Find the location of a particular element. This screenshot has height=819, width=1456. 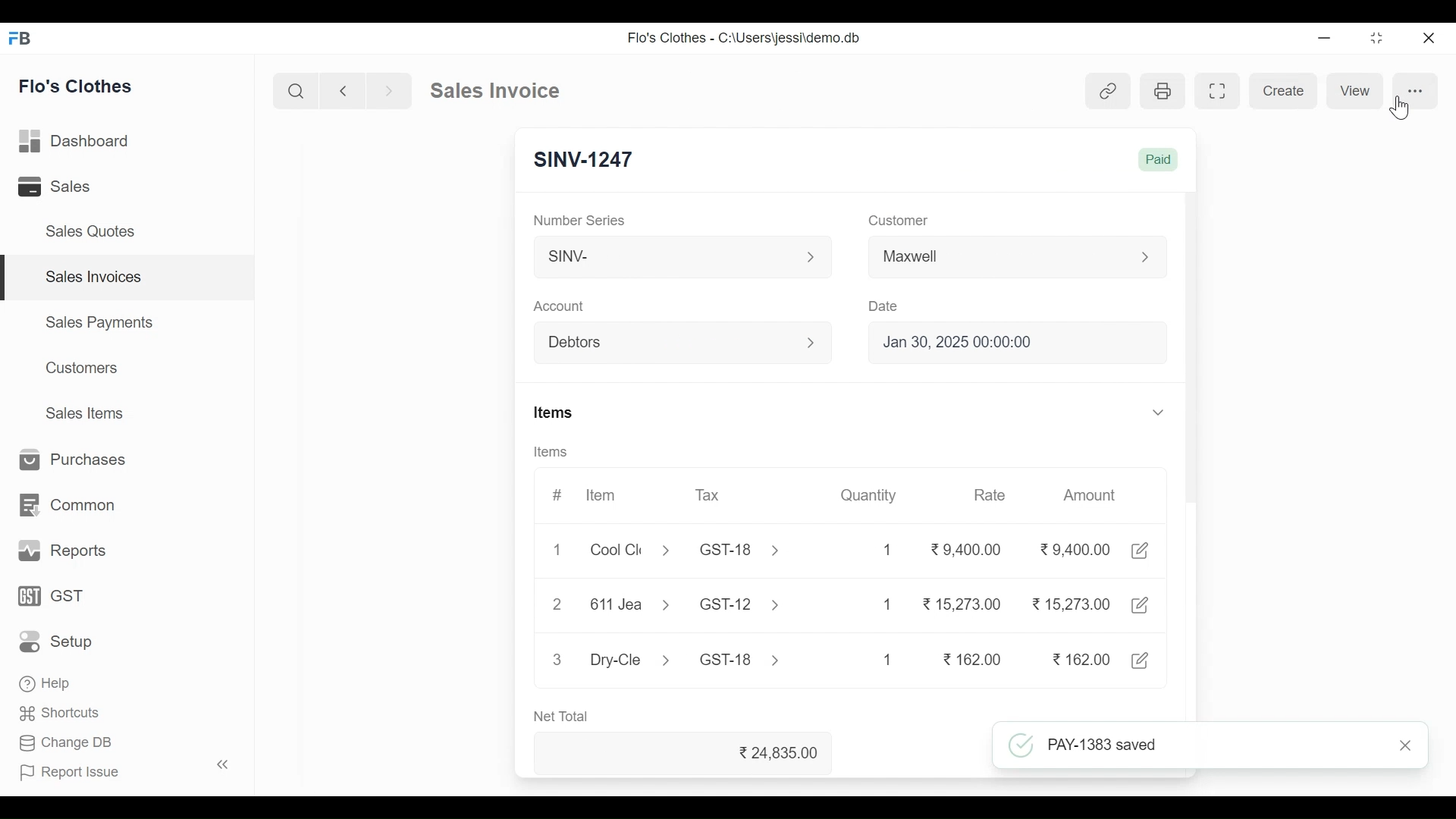

Sales Quotes is located at coordinates (88, 231).